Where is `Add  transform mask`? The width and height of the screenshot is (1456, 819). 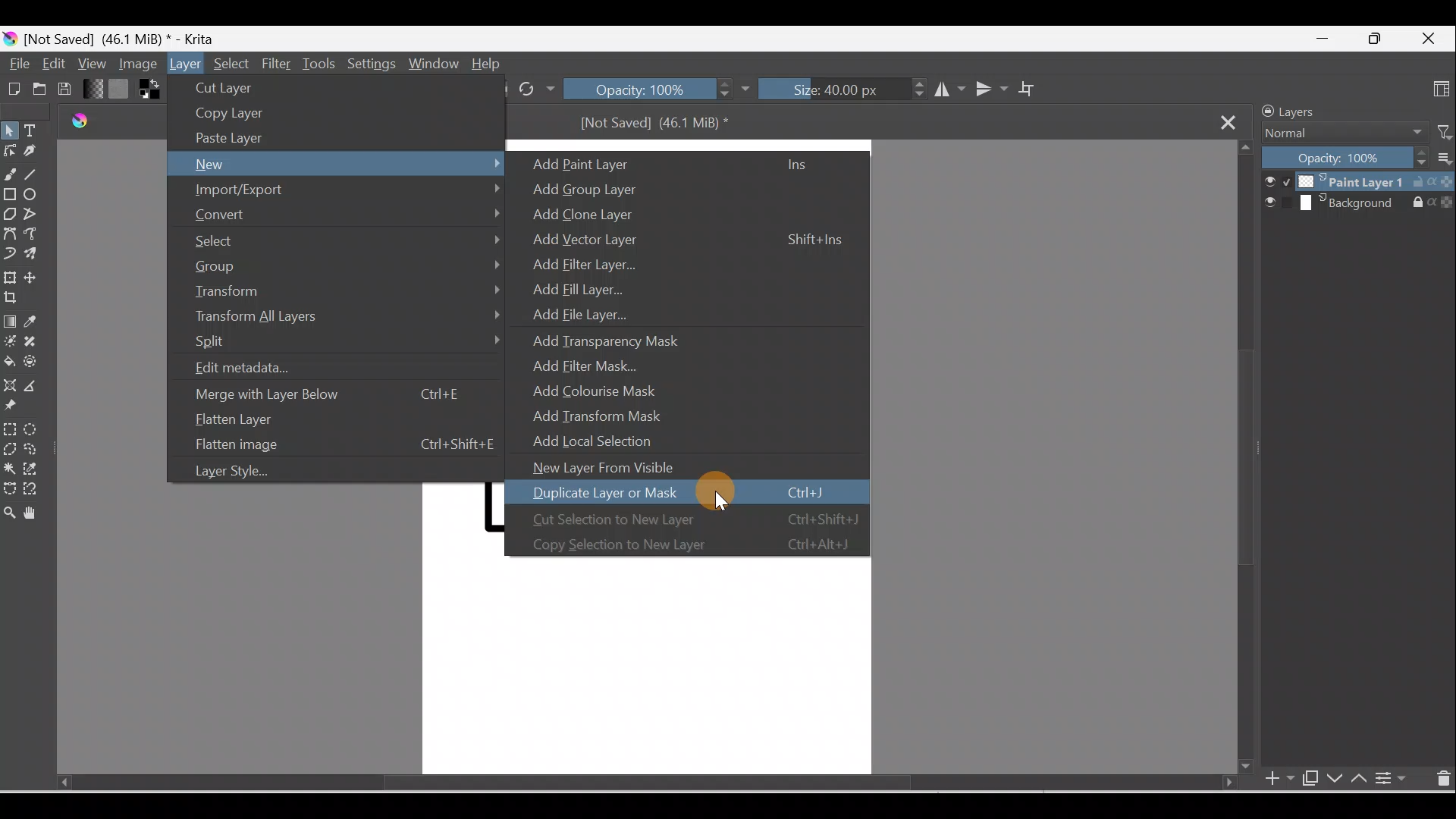
Add  transform mask is located at coordinates (609, 416).